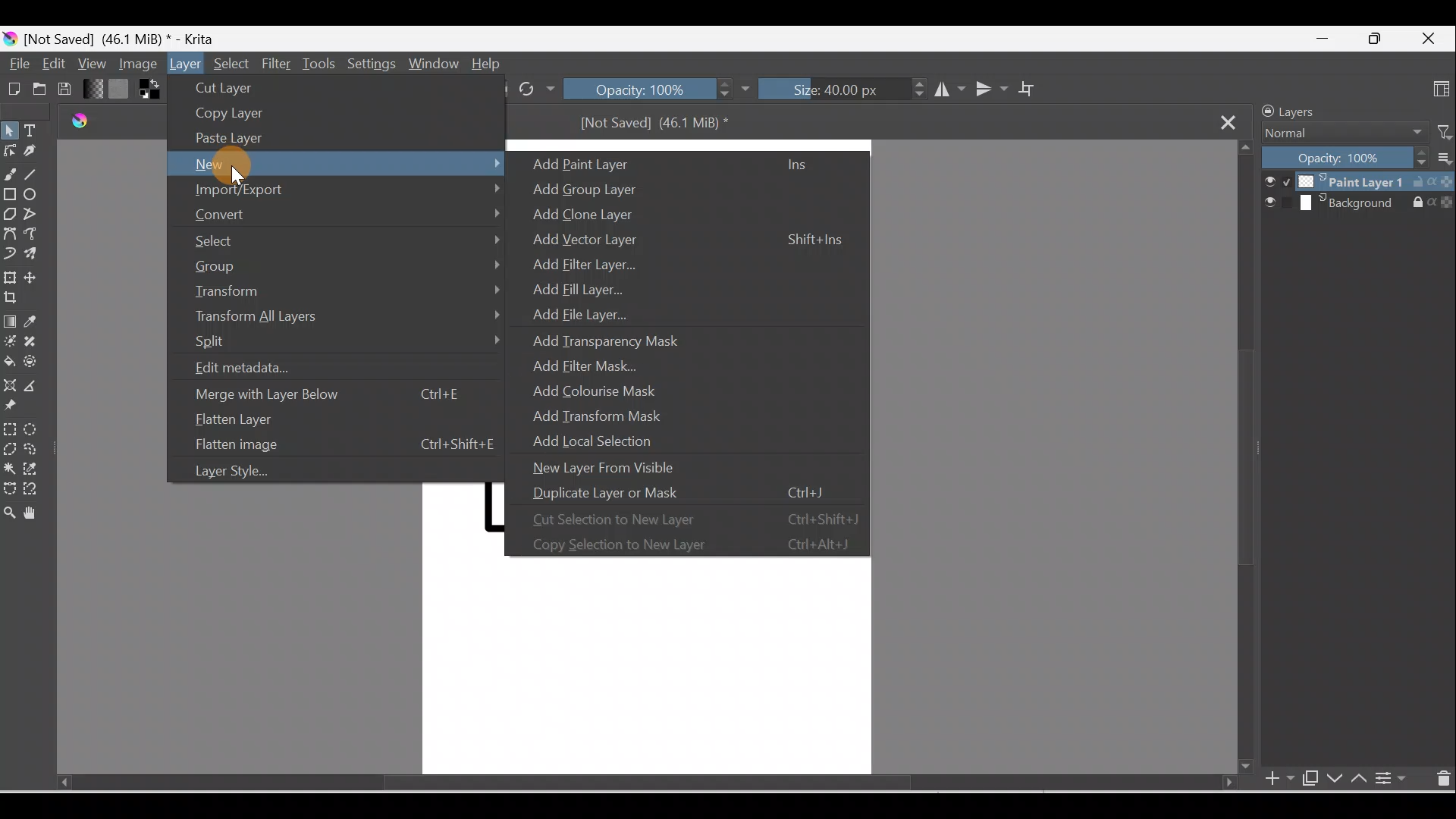  I want to click on Opacity: 100%, so click(657, 90).